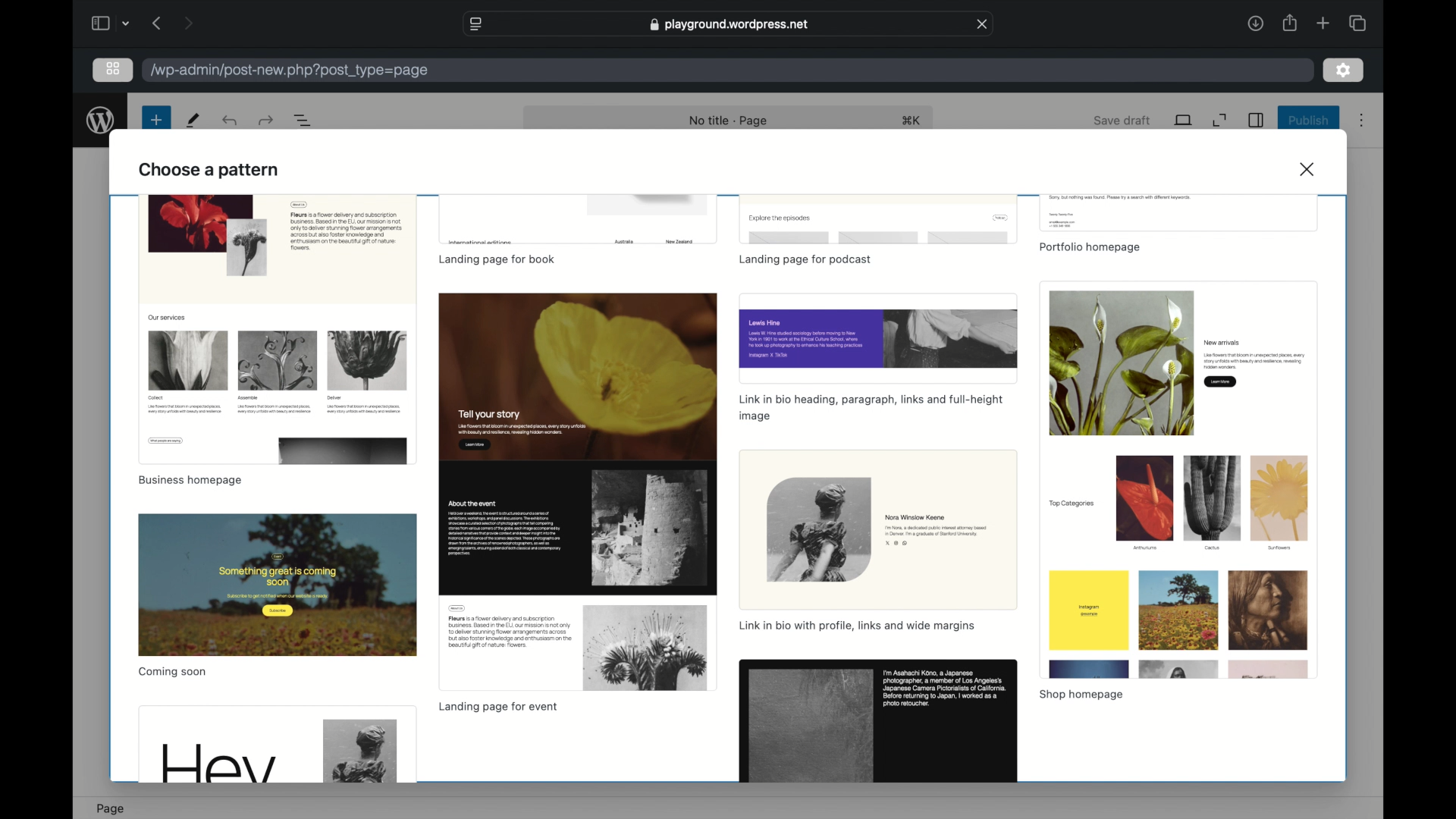 This screenshot has width=1456, height=819. Describe the element at coordinates (101, 121) in the screenshot. I see `wordpress` at that location.